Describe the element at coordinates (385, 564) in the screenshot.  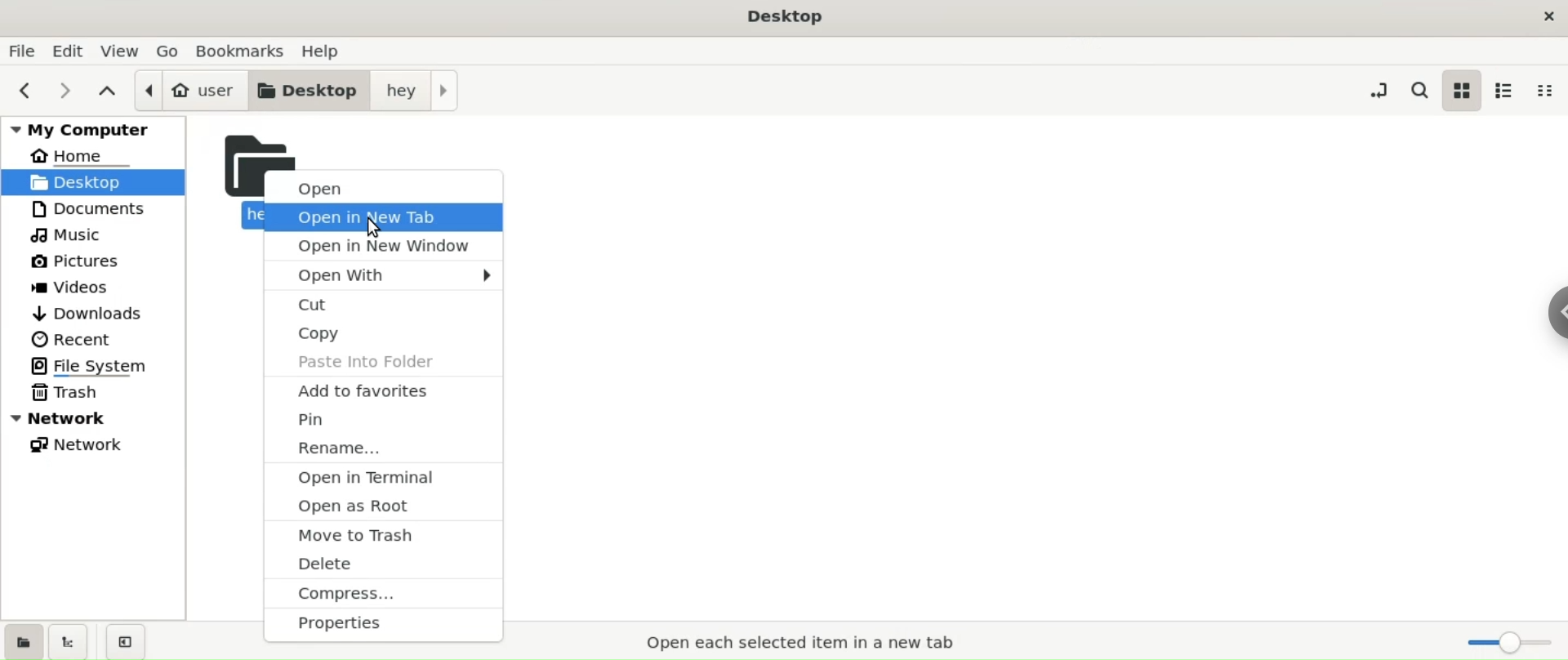
I see `delete` at that location.